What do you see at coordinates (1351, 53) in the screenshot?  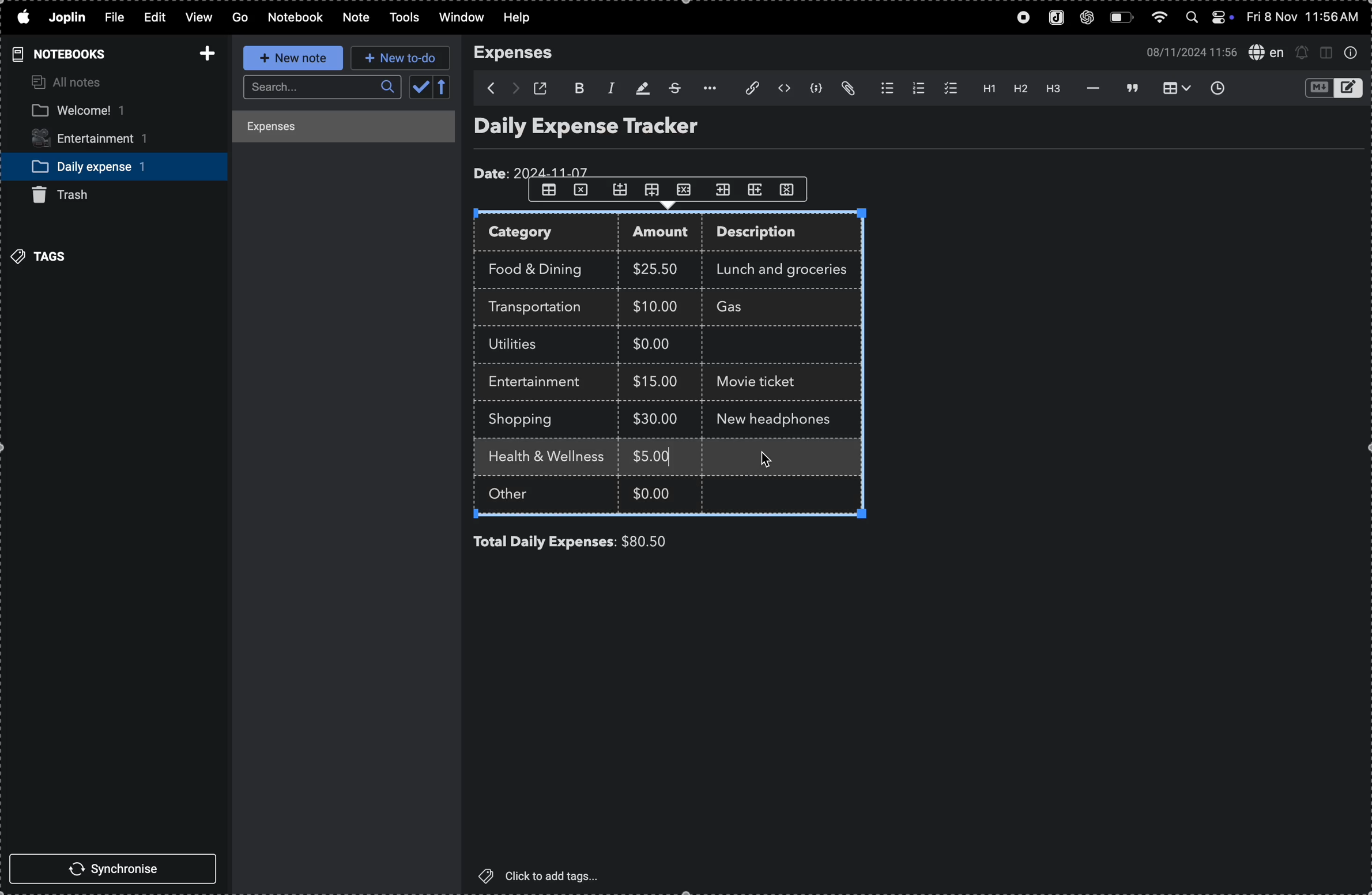 I see `info` at bounding box center [1351, 53].